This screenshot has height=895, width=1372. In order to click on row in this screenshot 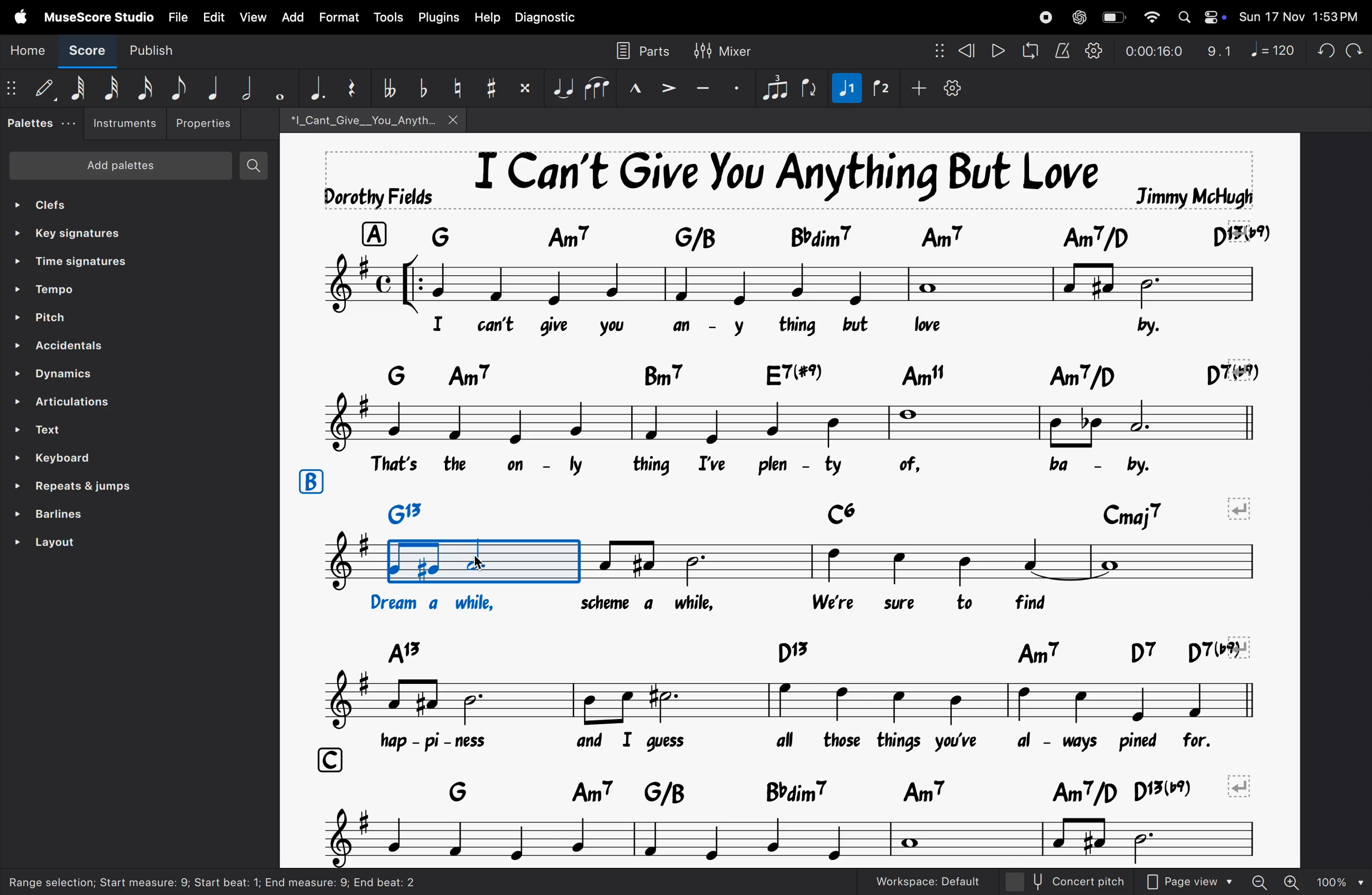, I will do `click(331, 758)`.